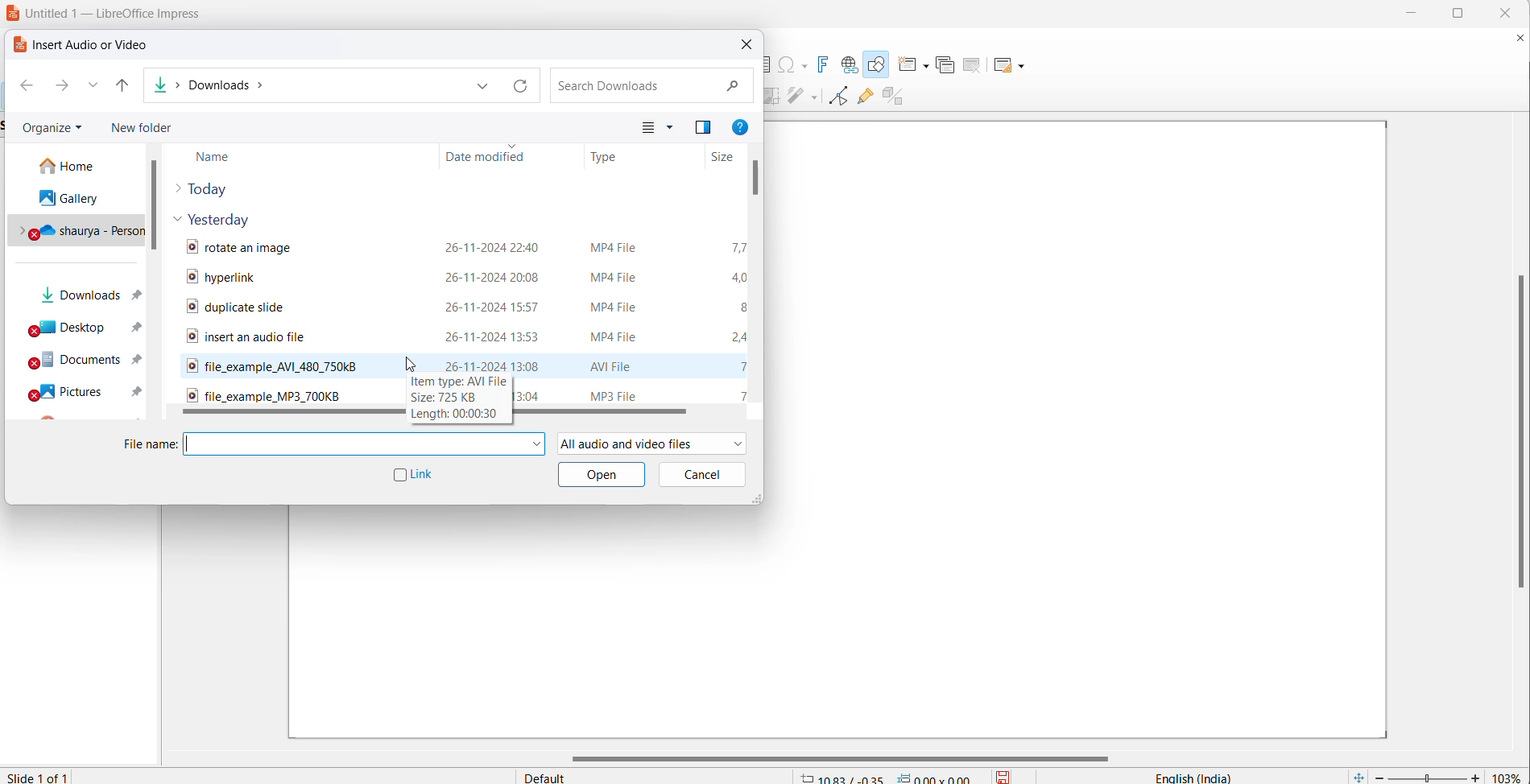 This screenshot has width=1530, height=784. Describe the element at coordinates (1378, 776) in the screenshot. I see `decrease zoom` at that location.